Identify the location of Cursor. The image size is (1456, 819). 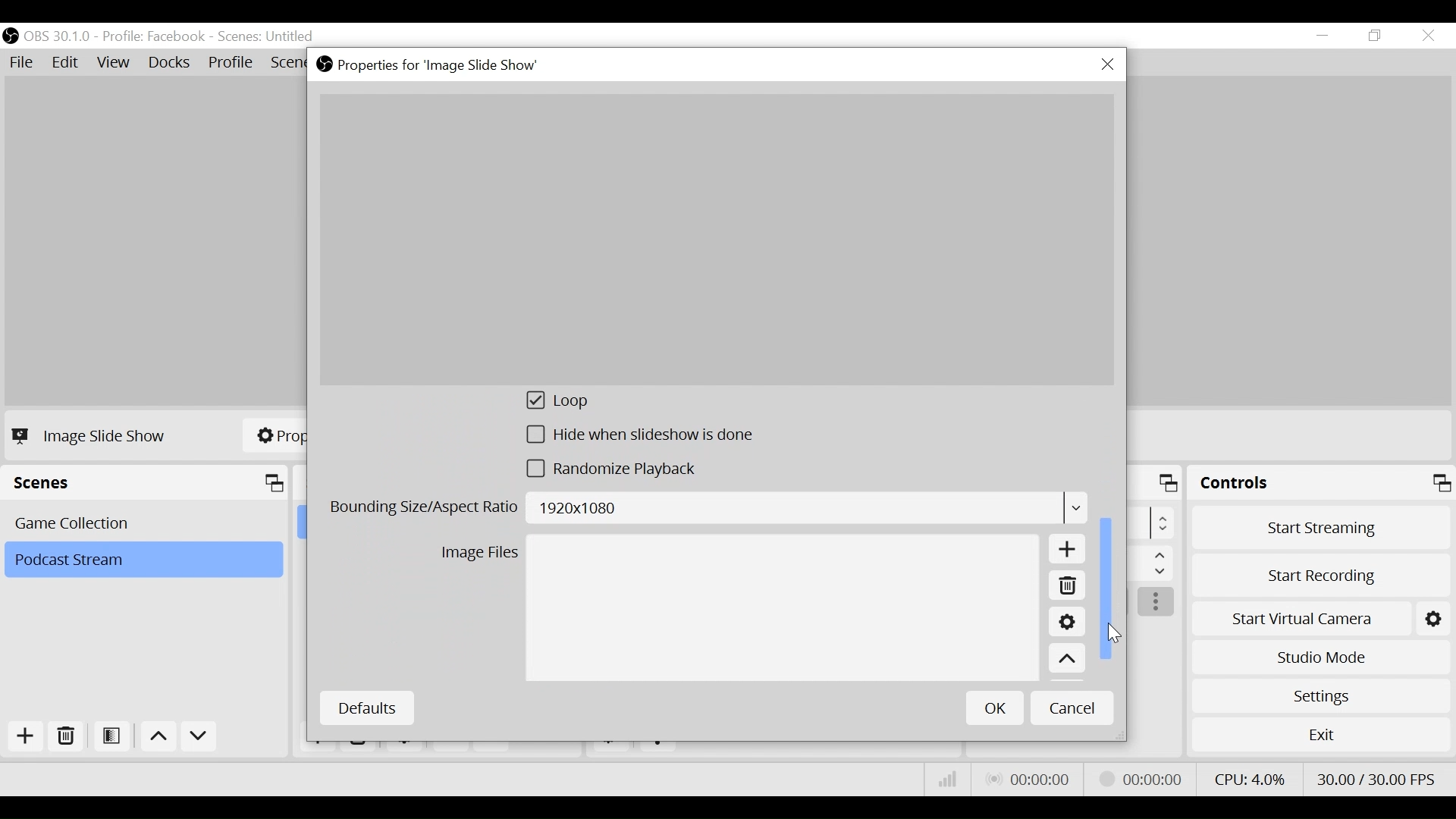
(1111, 637).